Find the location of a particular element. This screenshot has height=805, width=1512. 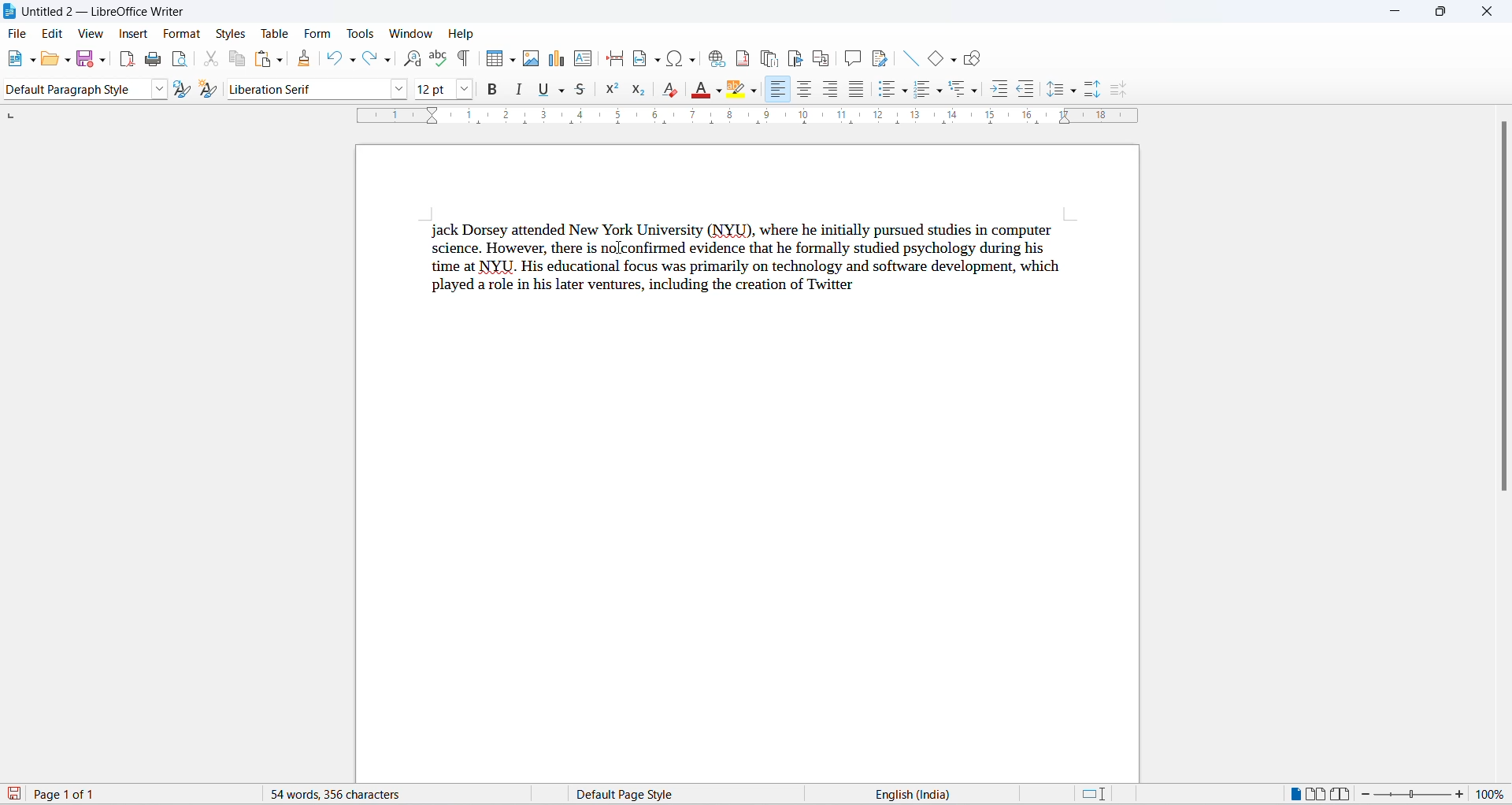

multipage view is located at coordinates (1317, 793).